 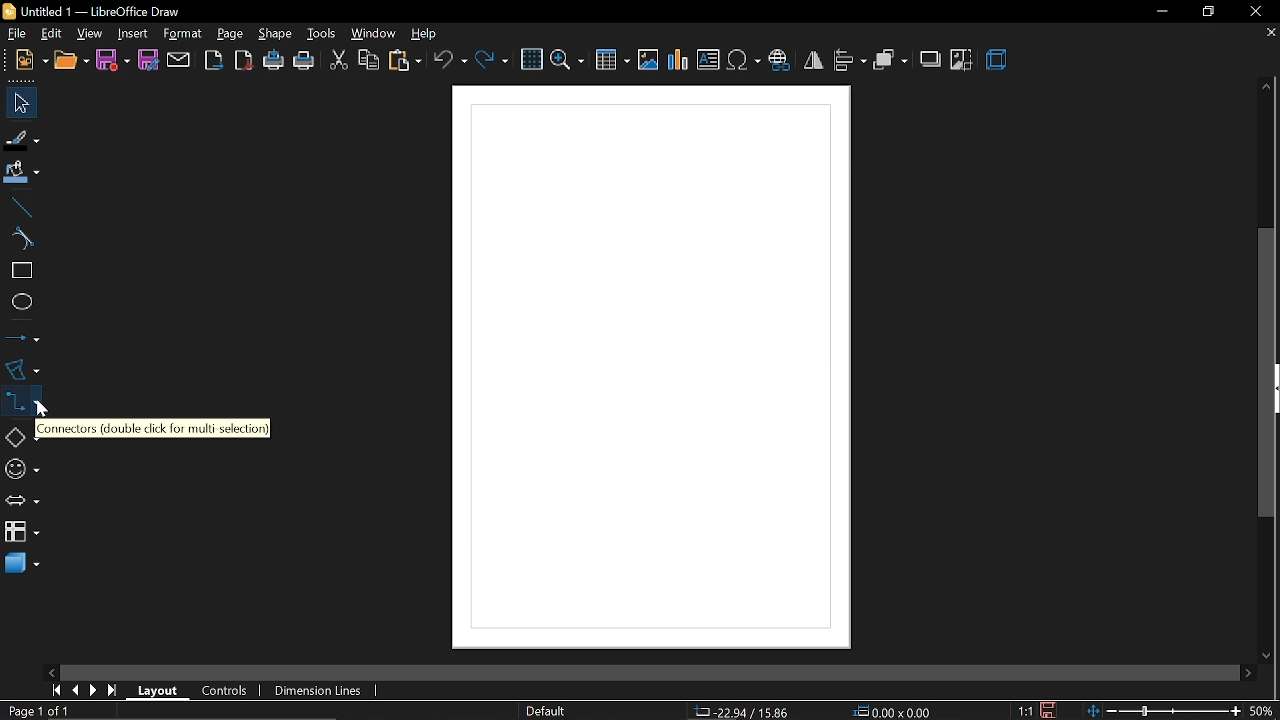 I want to click on Cursor, so click(x=44, y=404).